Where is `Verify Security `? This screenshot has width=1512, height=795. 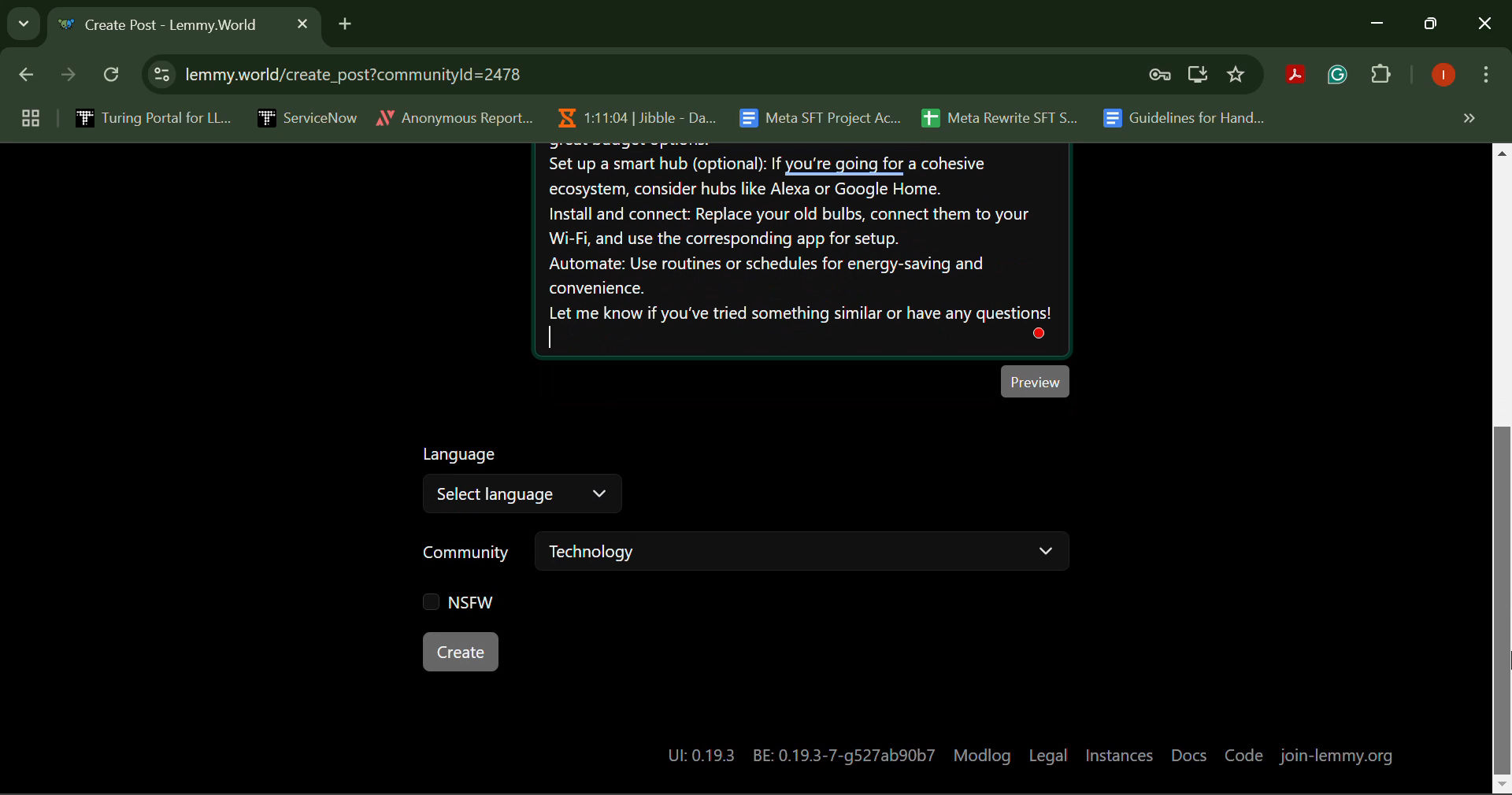 Verify Security  is located at coordinates (1162, 75).